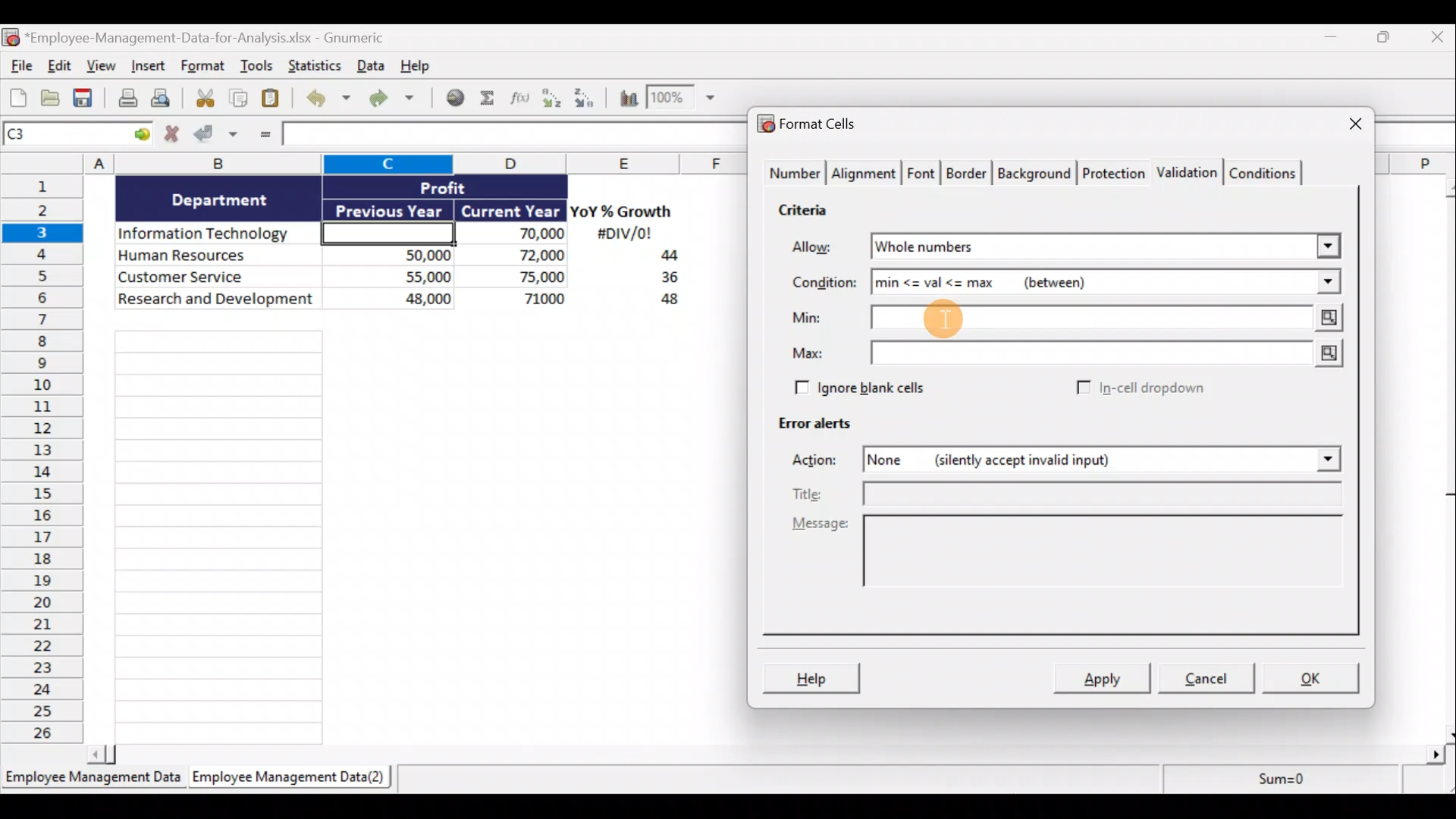 Image resolution: width=1456 pixels, height=819 pixels. I want to click on Cells, so click(408, 531).